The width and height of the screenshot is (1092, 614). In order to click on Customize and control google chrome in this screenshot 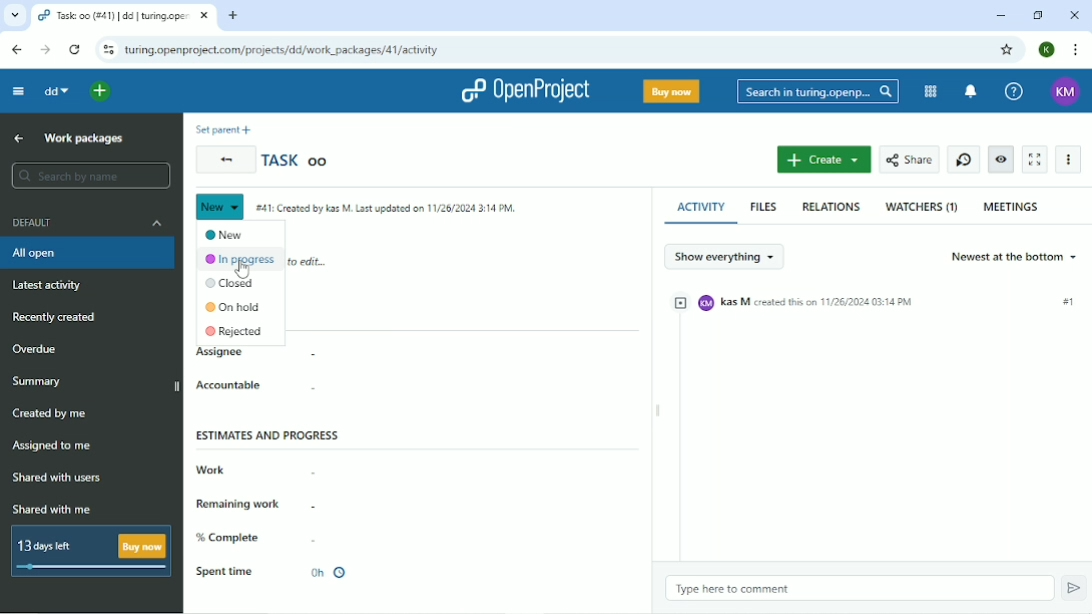, I will do `click(1075, 49)`.